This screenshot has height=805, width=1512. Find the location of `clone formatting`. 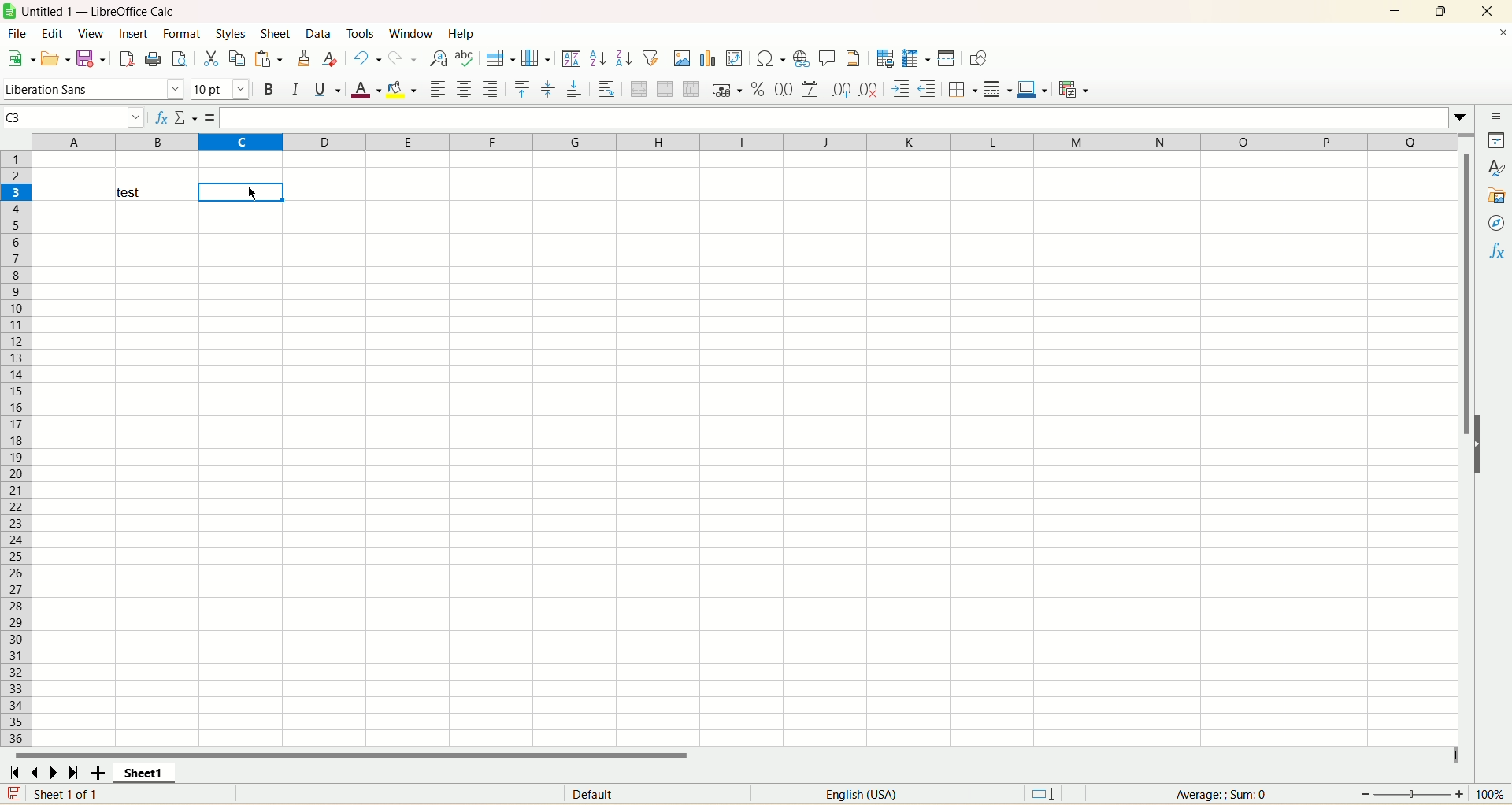

clone formatting is located at coordinates (303, 57).